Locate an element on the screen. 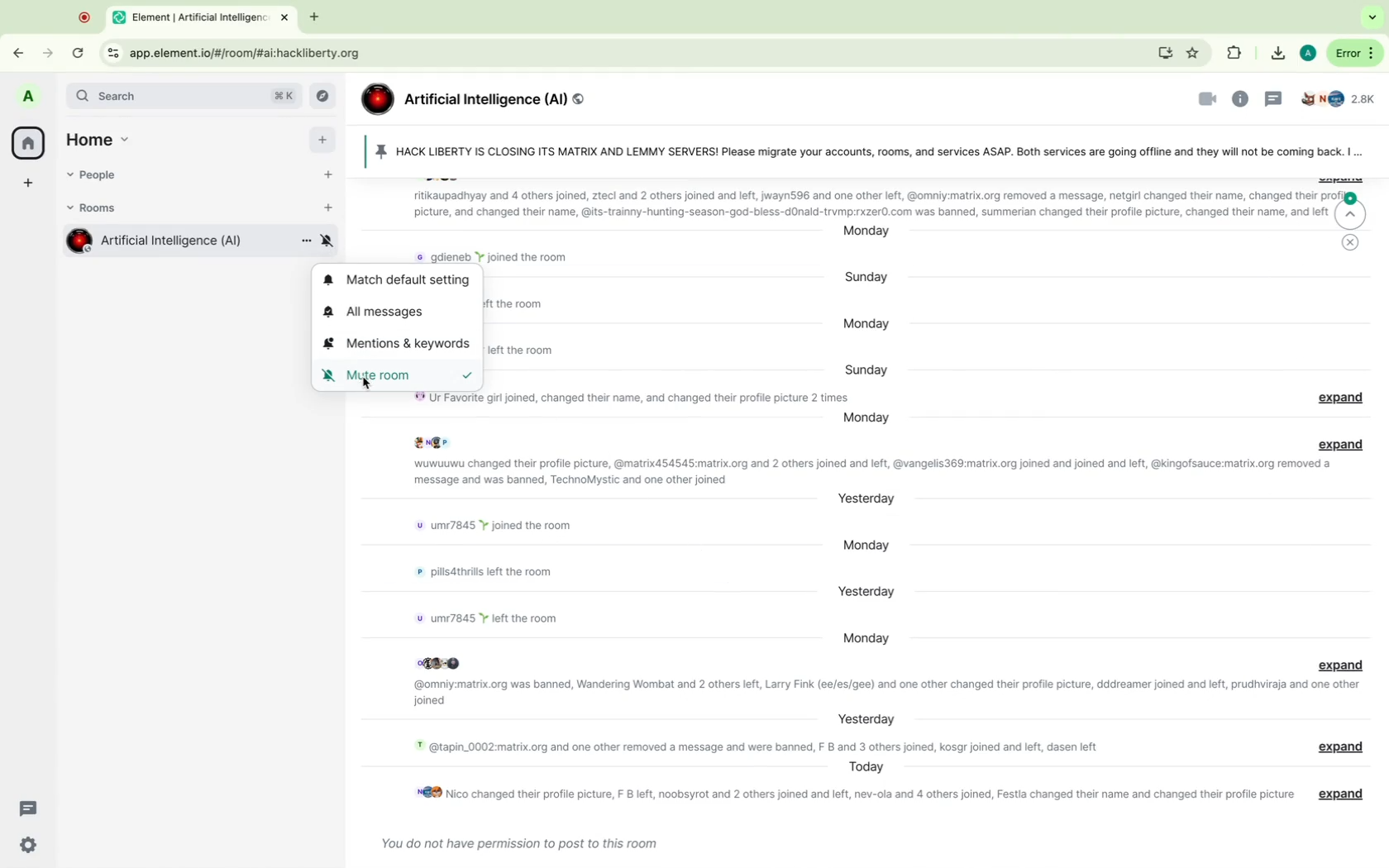 The image size is (1389, 868). profile pictures is located at coordinates (441, 661).